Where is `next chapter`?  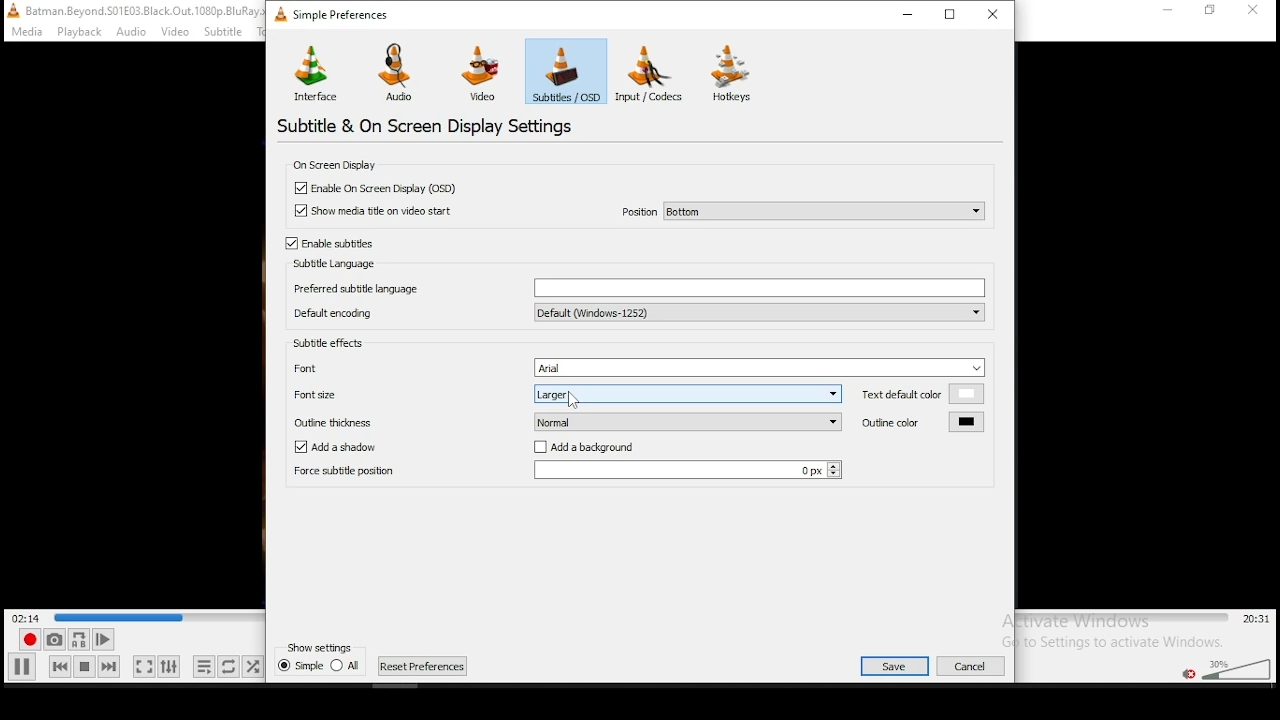
next chapter is located at coordinates (423, 666).